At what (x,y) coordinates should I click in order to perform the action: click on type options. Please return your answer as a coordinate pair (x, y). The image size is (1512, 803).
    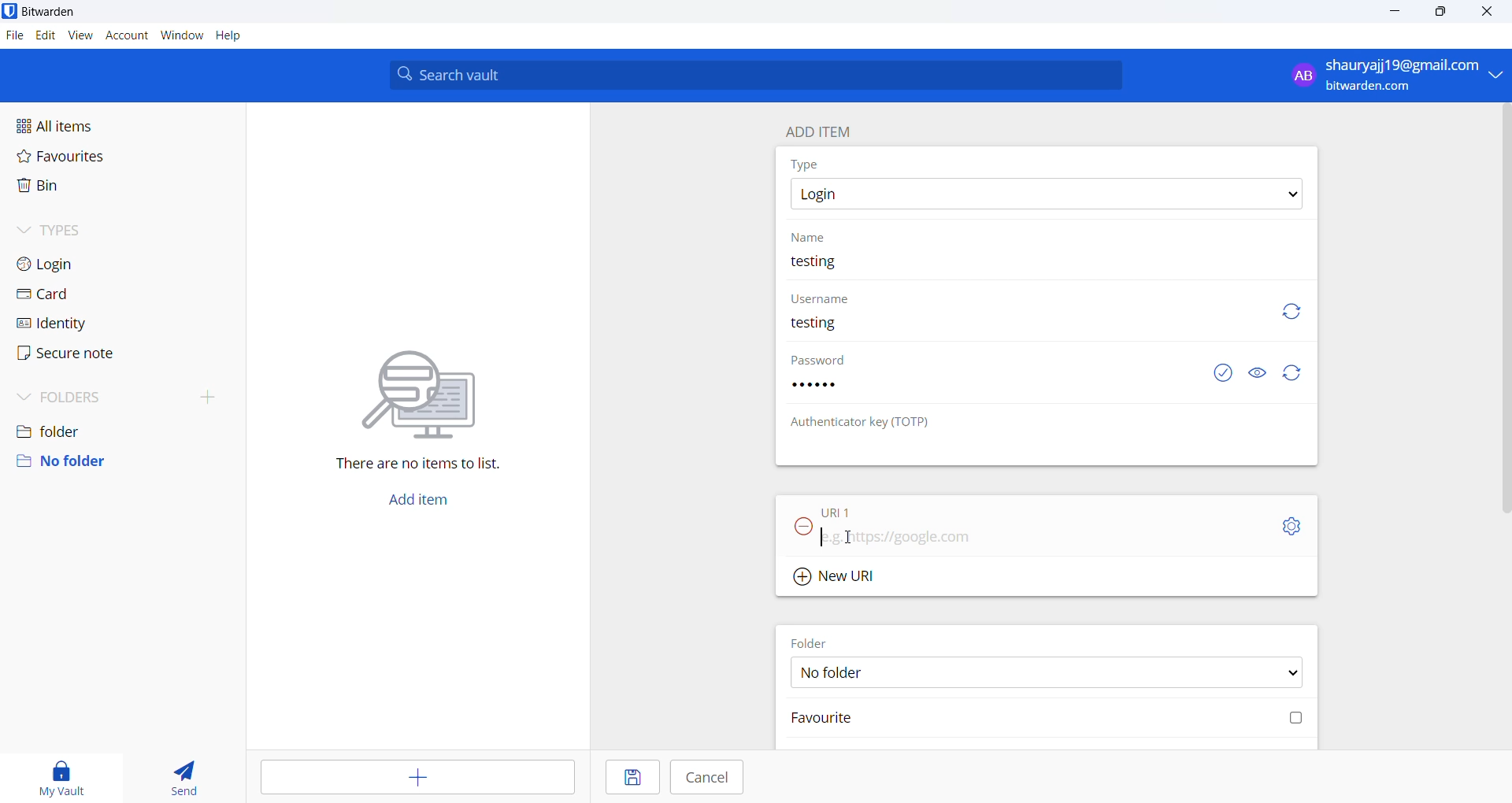
    Looking at the image, I should click on (1045, 194).